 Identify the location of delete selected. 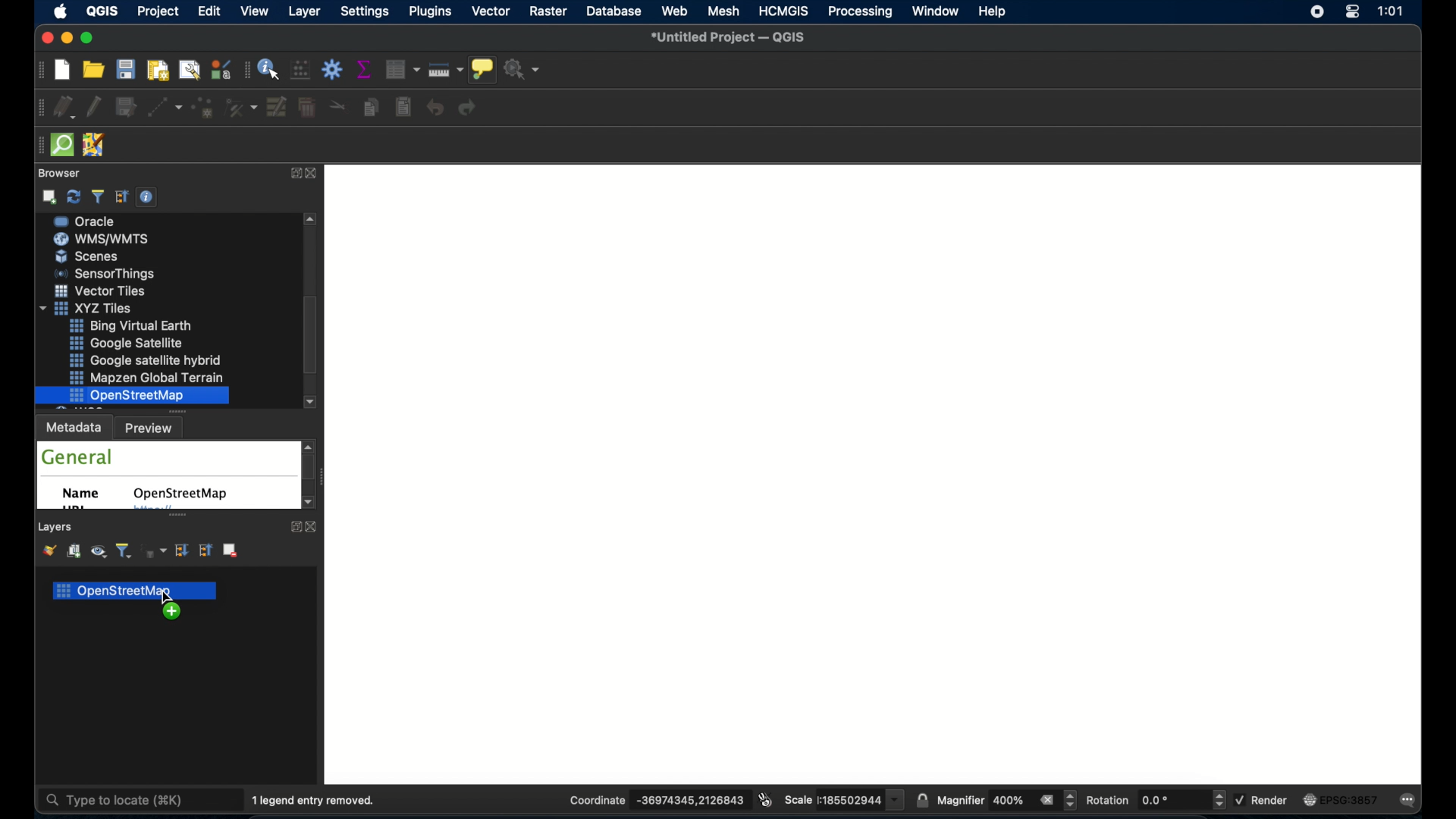
(309, 108).